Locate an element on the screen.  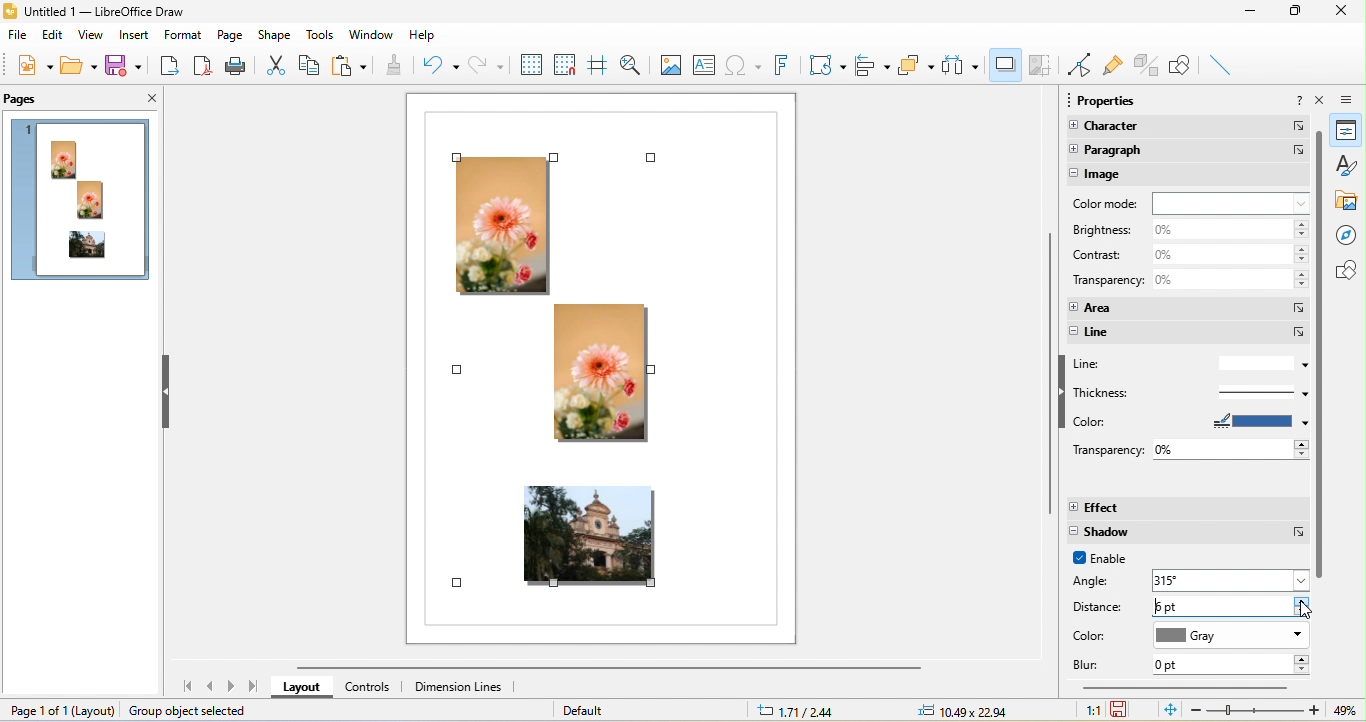
transparency 0% is located at coordinates (1190, 448).